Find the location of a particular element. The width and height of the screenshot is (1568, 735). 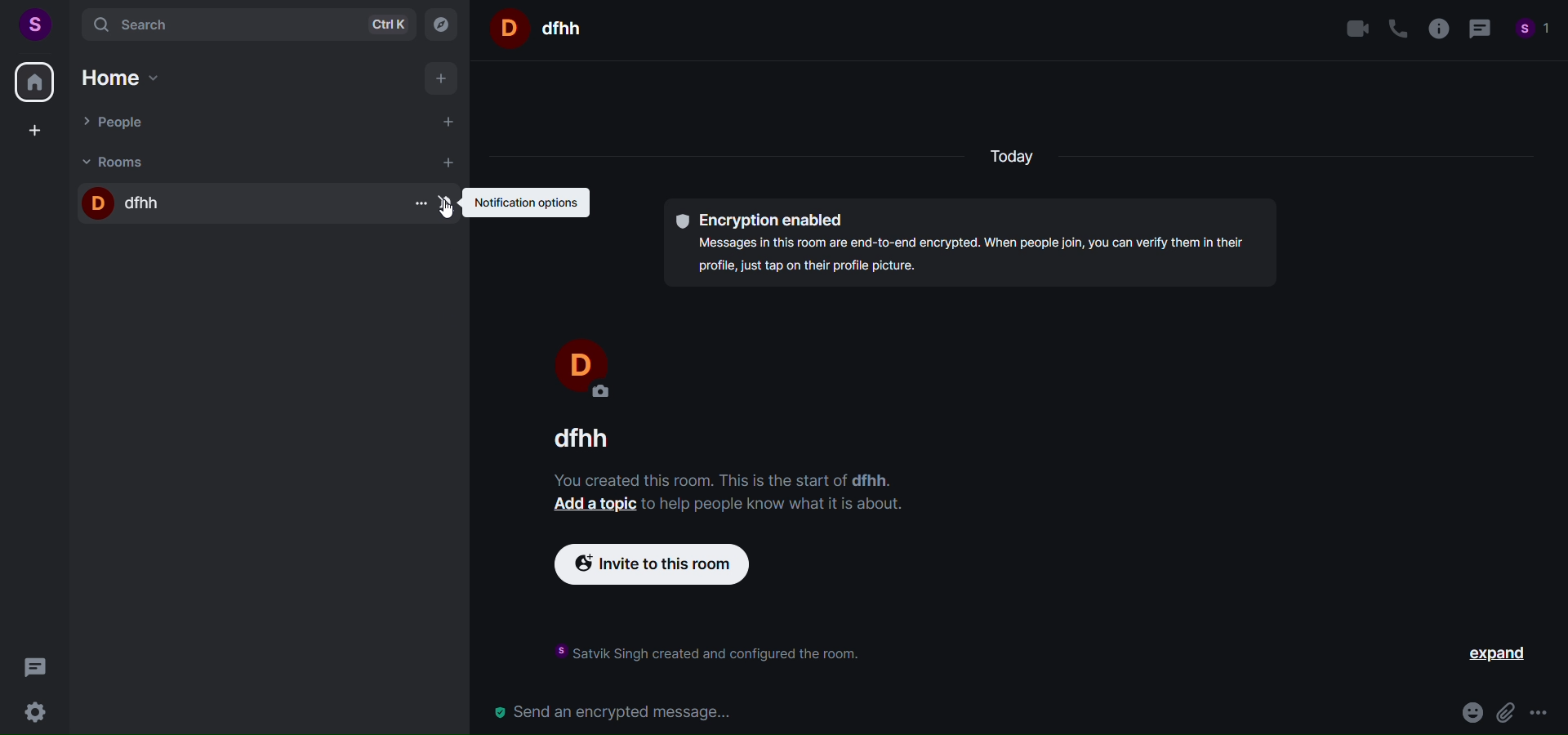

dfhh is located at coordinates (224, 204).